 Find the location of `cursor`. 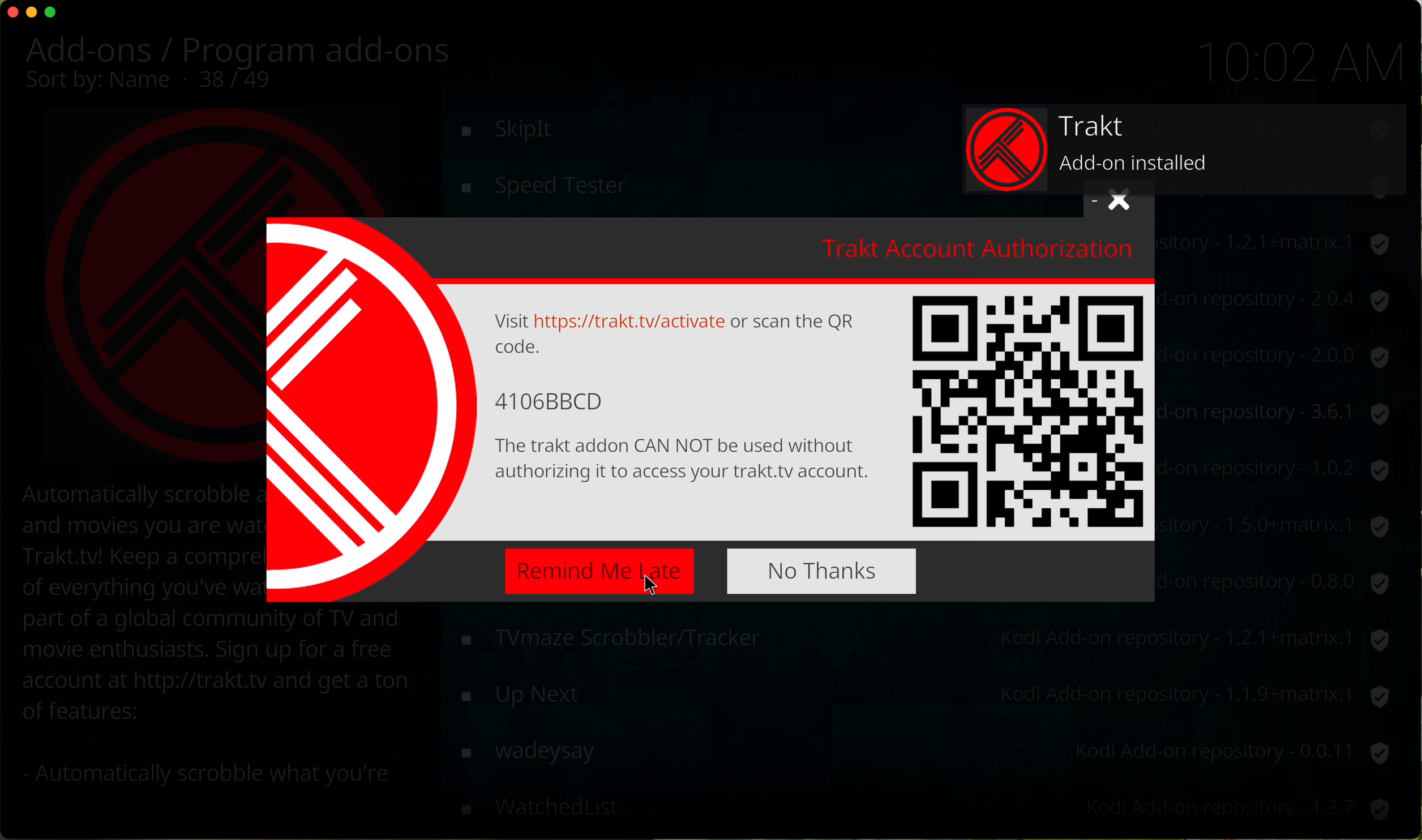

cursor is located at coordinates (658, 591).